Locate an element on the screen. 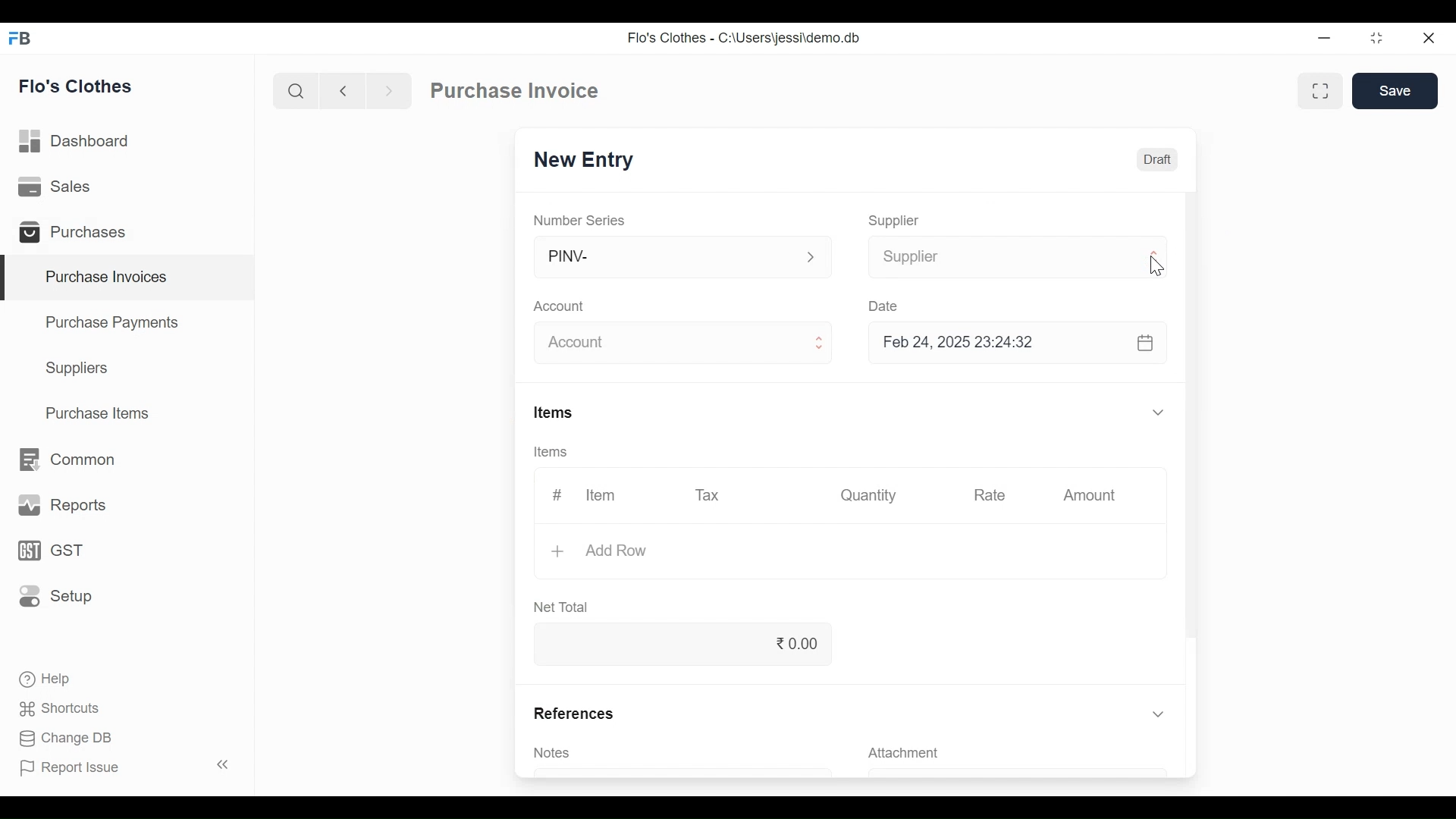 The image size is (1456, 819). Expand is located at coordinates (1160, 412).